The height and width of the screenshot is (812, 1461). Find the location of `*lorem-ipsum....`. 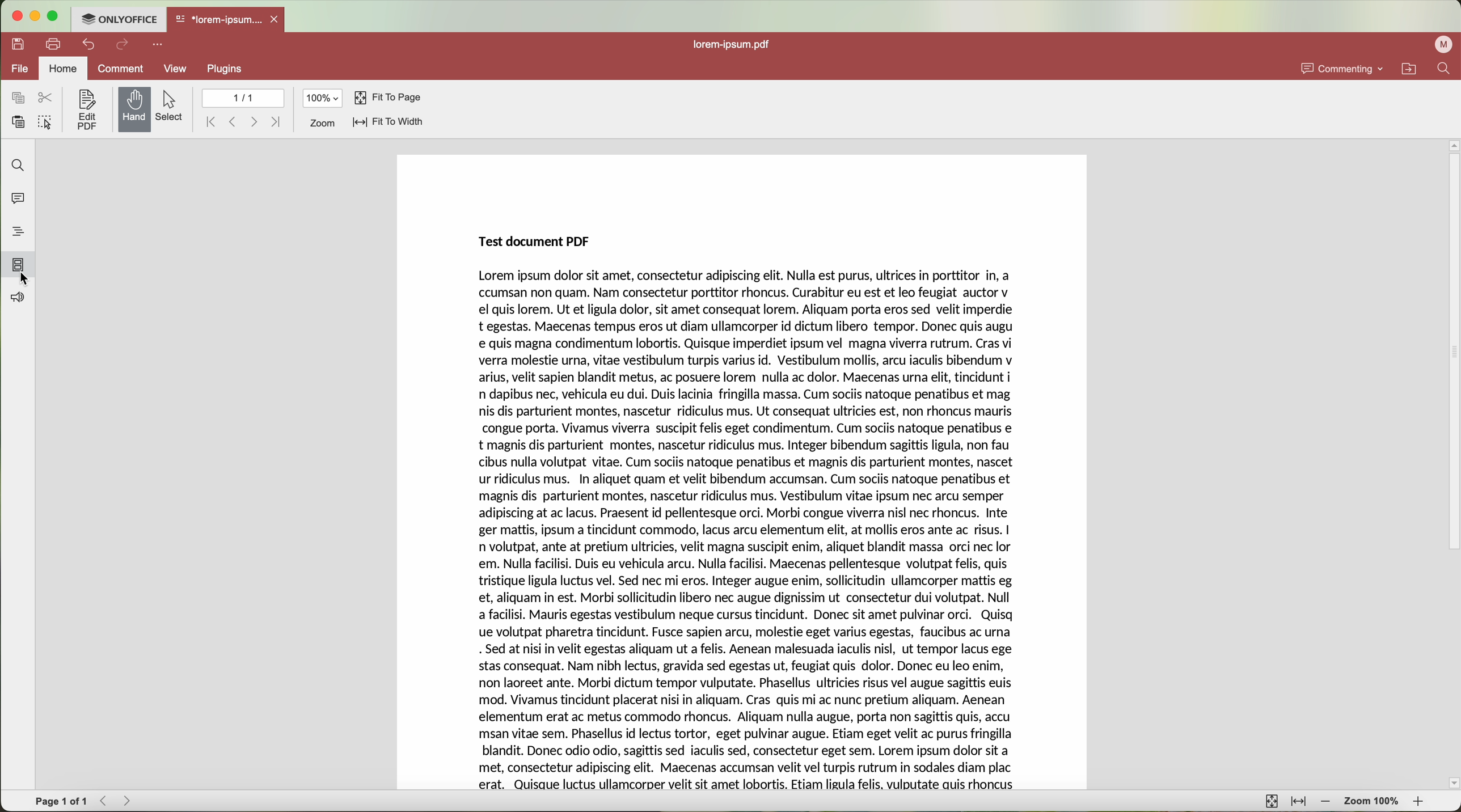

*lorem-ipsum.... is located at coordinates (219, 18).